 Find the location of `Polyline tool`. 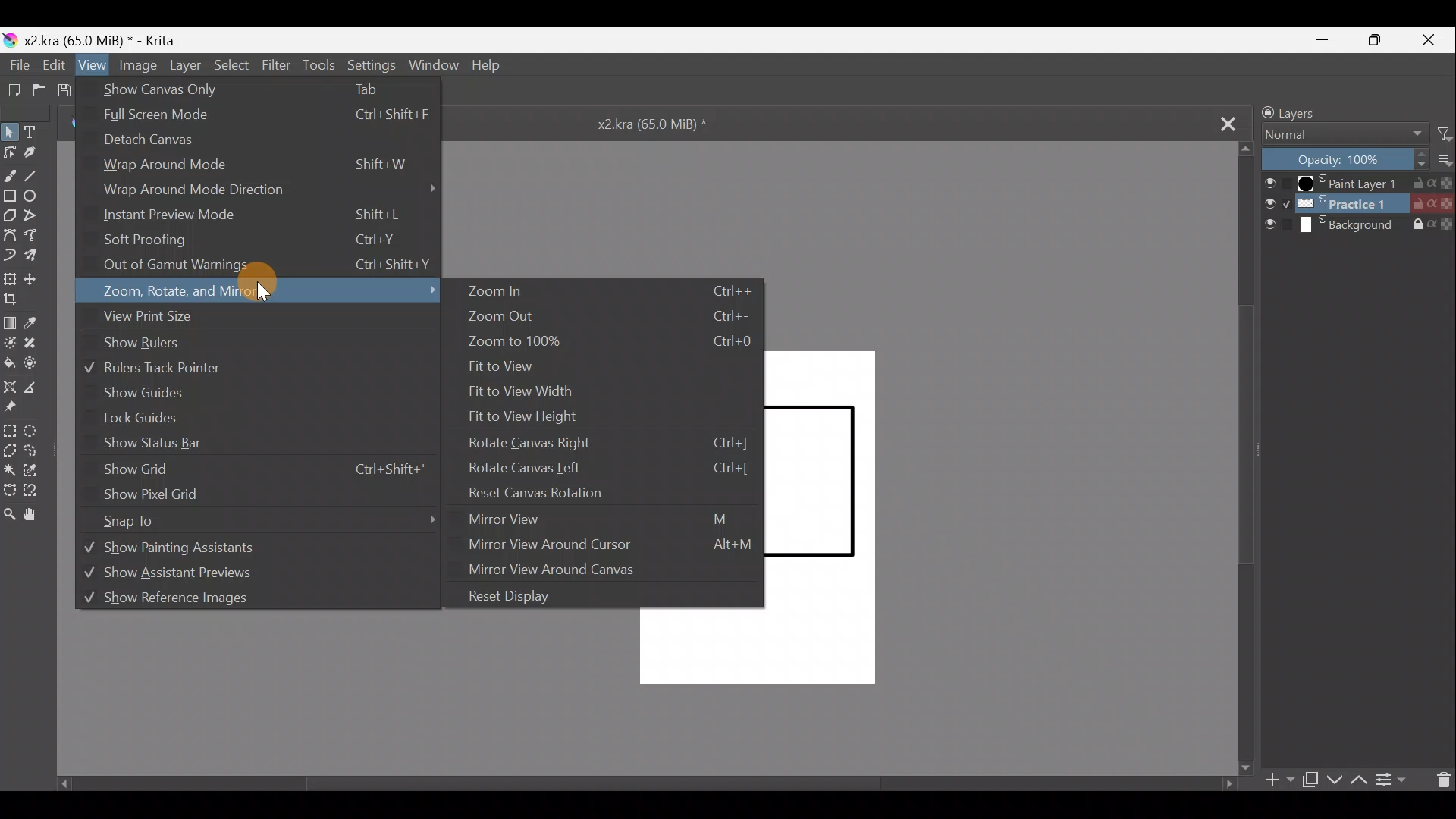

Polyline tool is located at coordinates (34, 216).